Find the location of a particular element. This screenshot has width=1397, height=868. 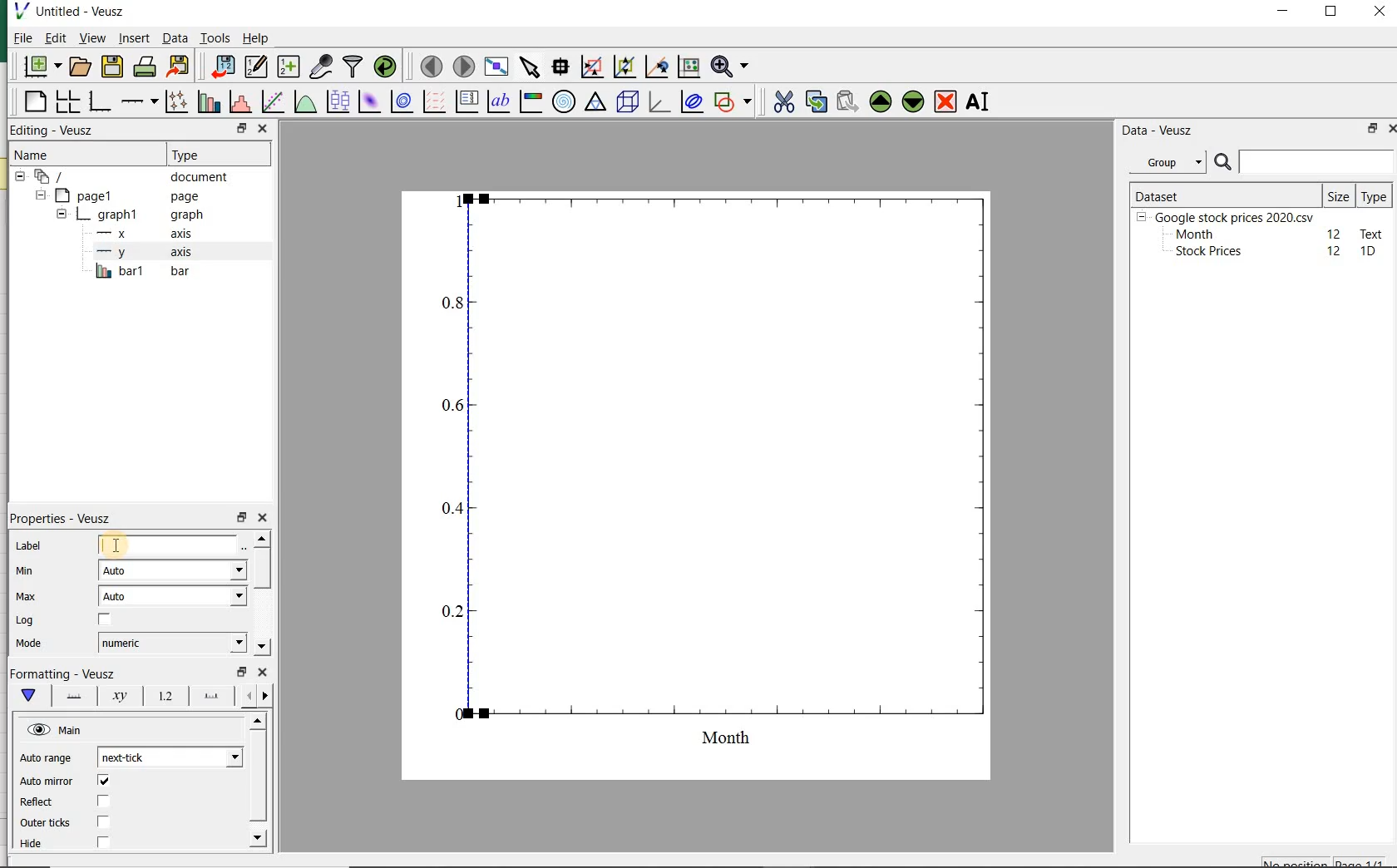

filter data is located at coordinates (353, 66).